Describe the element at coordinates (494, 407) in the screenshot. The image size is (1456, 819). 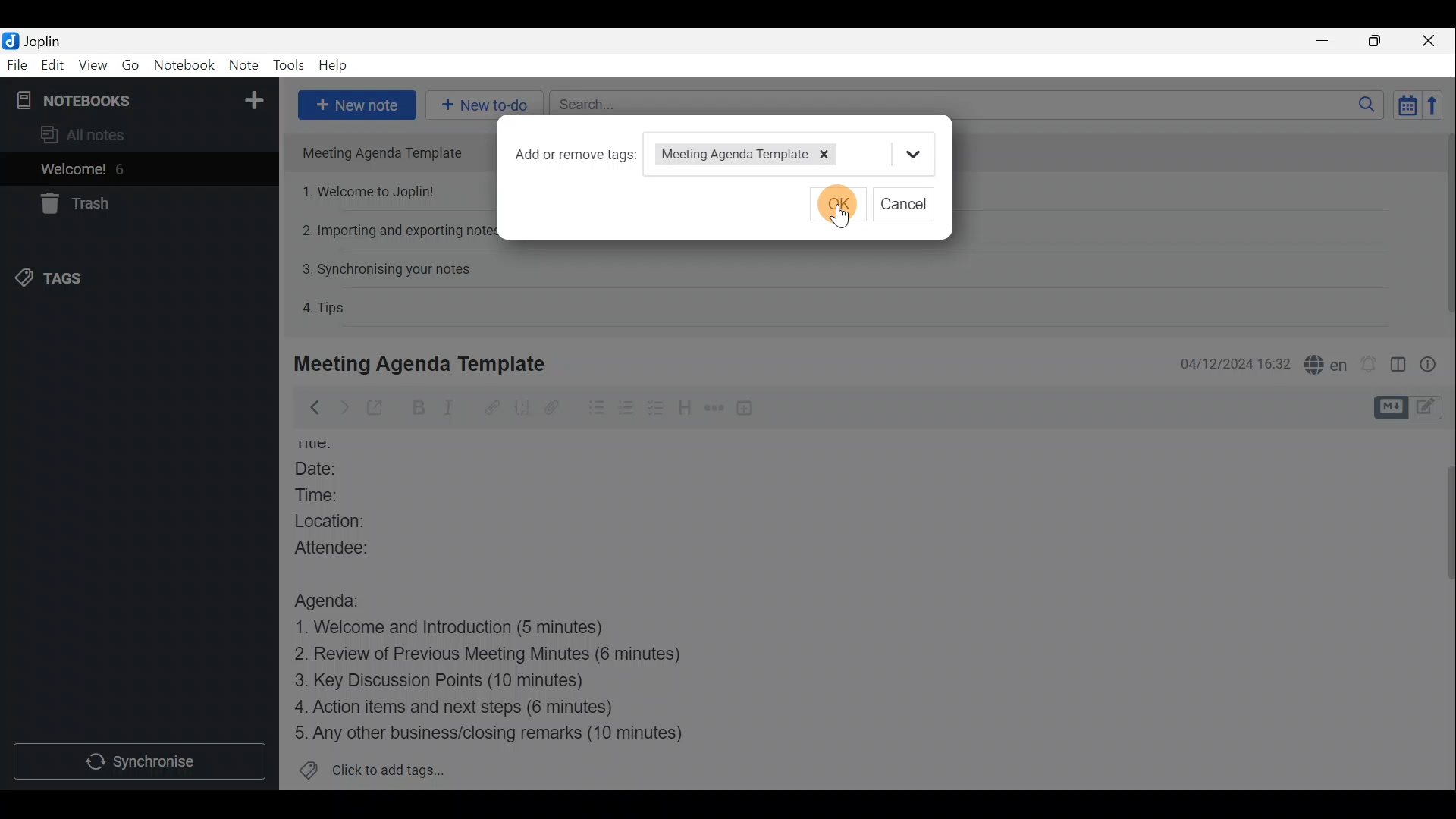
I see `Hyperlink` at that location.